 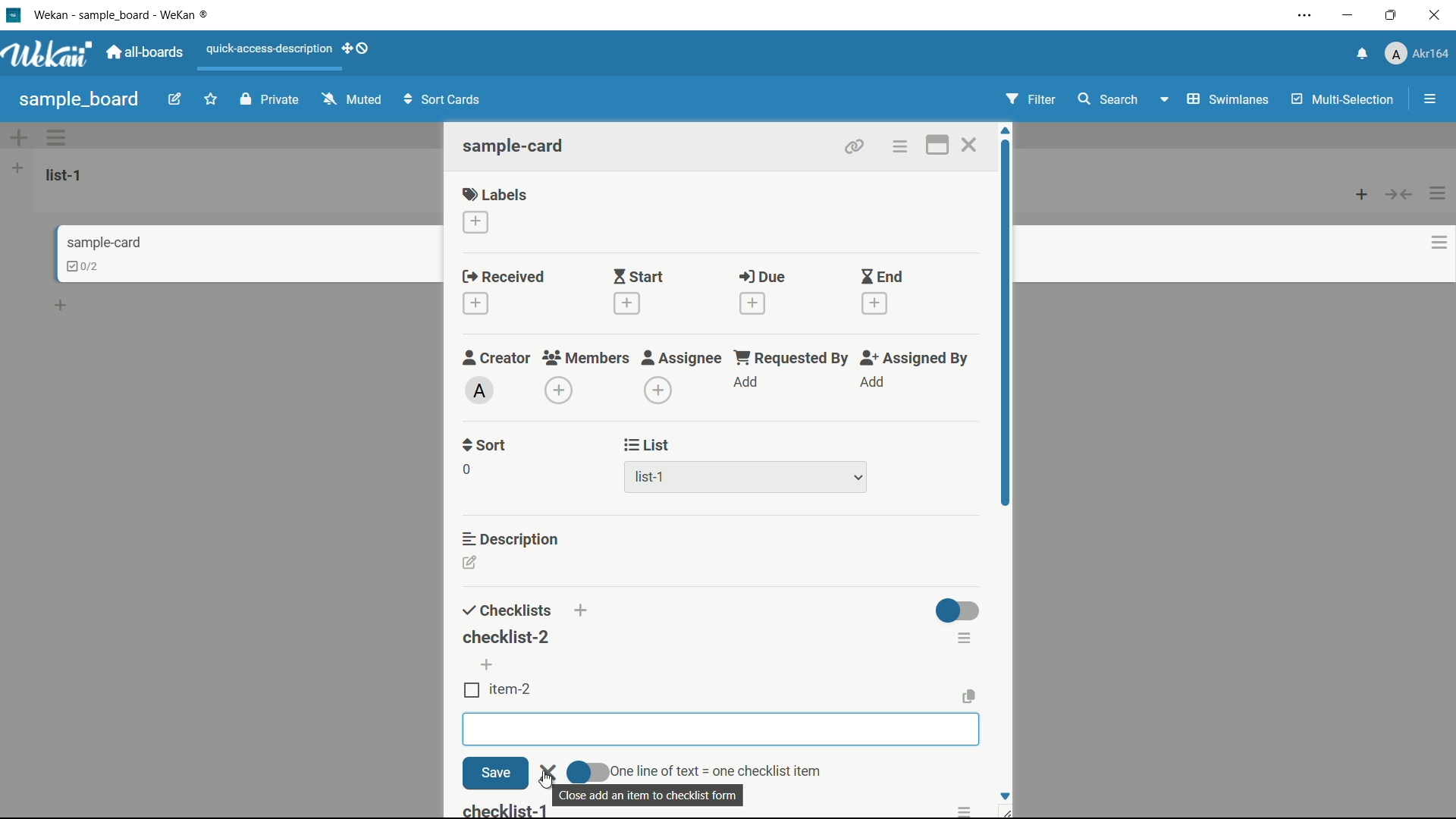 What do you see at coordinates (84, 266) in the screenshot?
I see `cklist` at bounding box center [84, 266].